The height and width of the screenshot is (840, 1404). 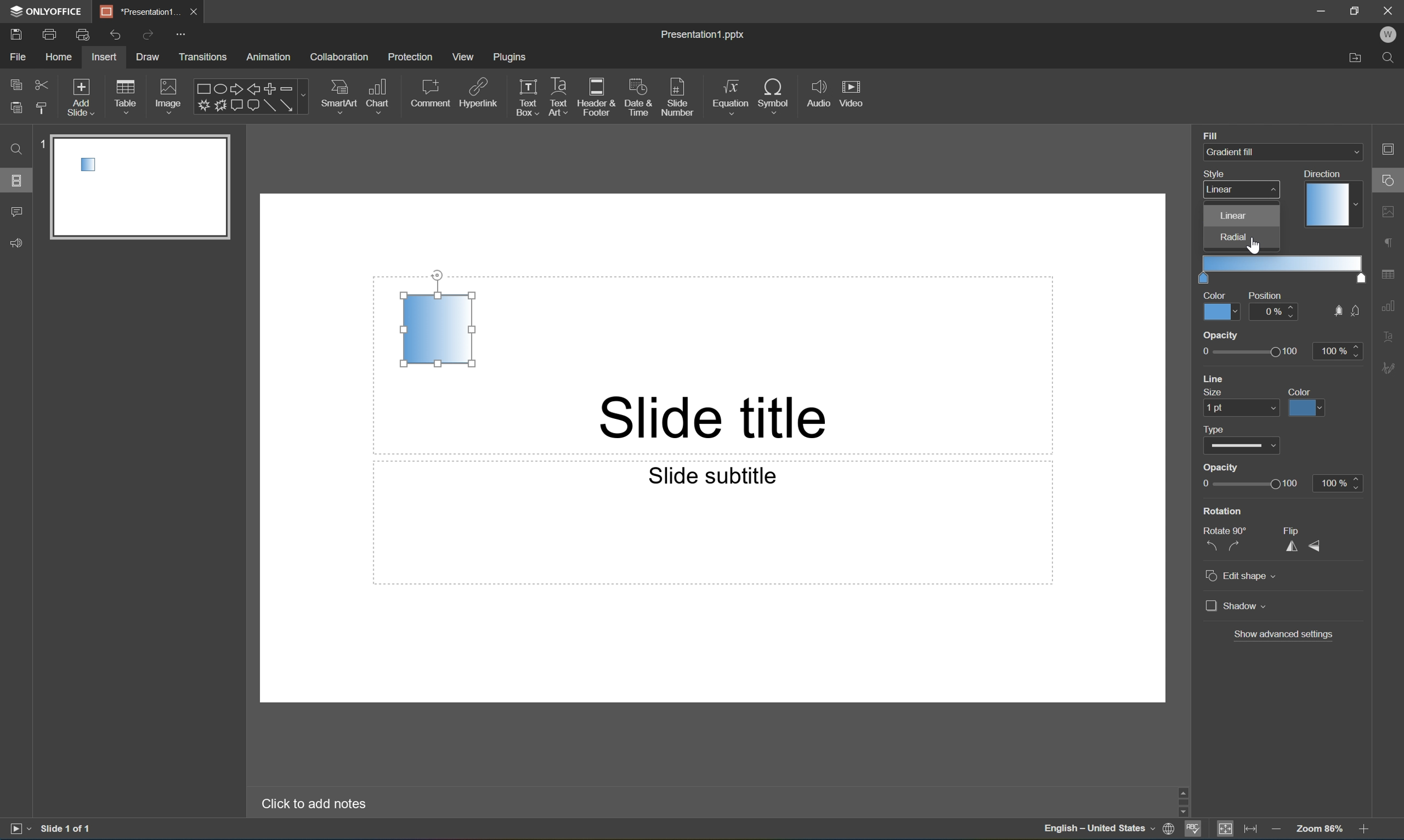 I want to click on Hyperlink, so click(x=479, y=91).